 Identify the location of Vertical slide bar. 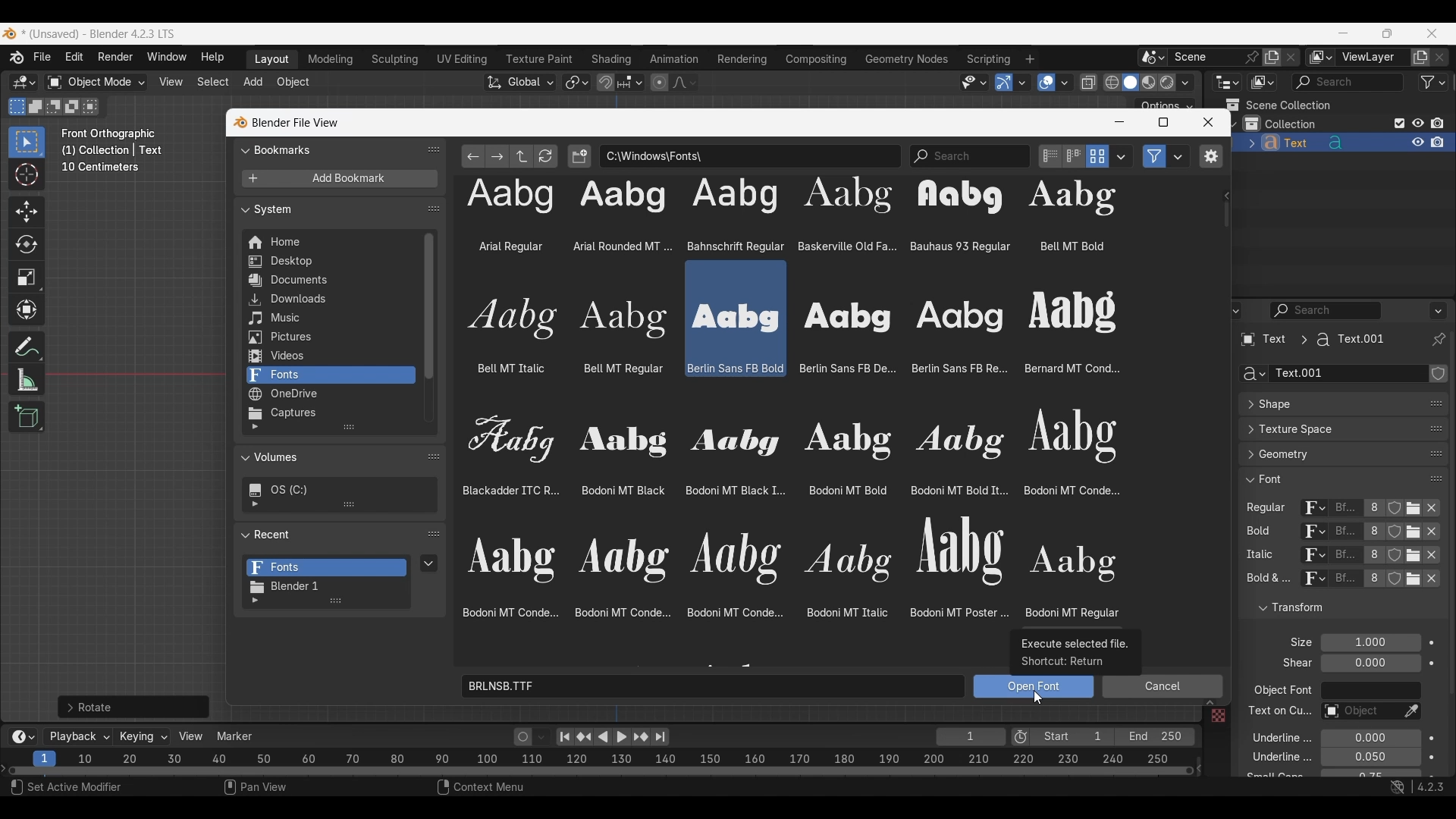
(429, 306).